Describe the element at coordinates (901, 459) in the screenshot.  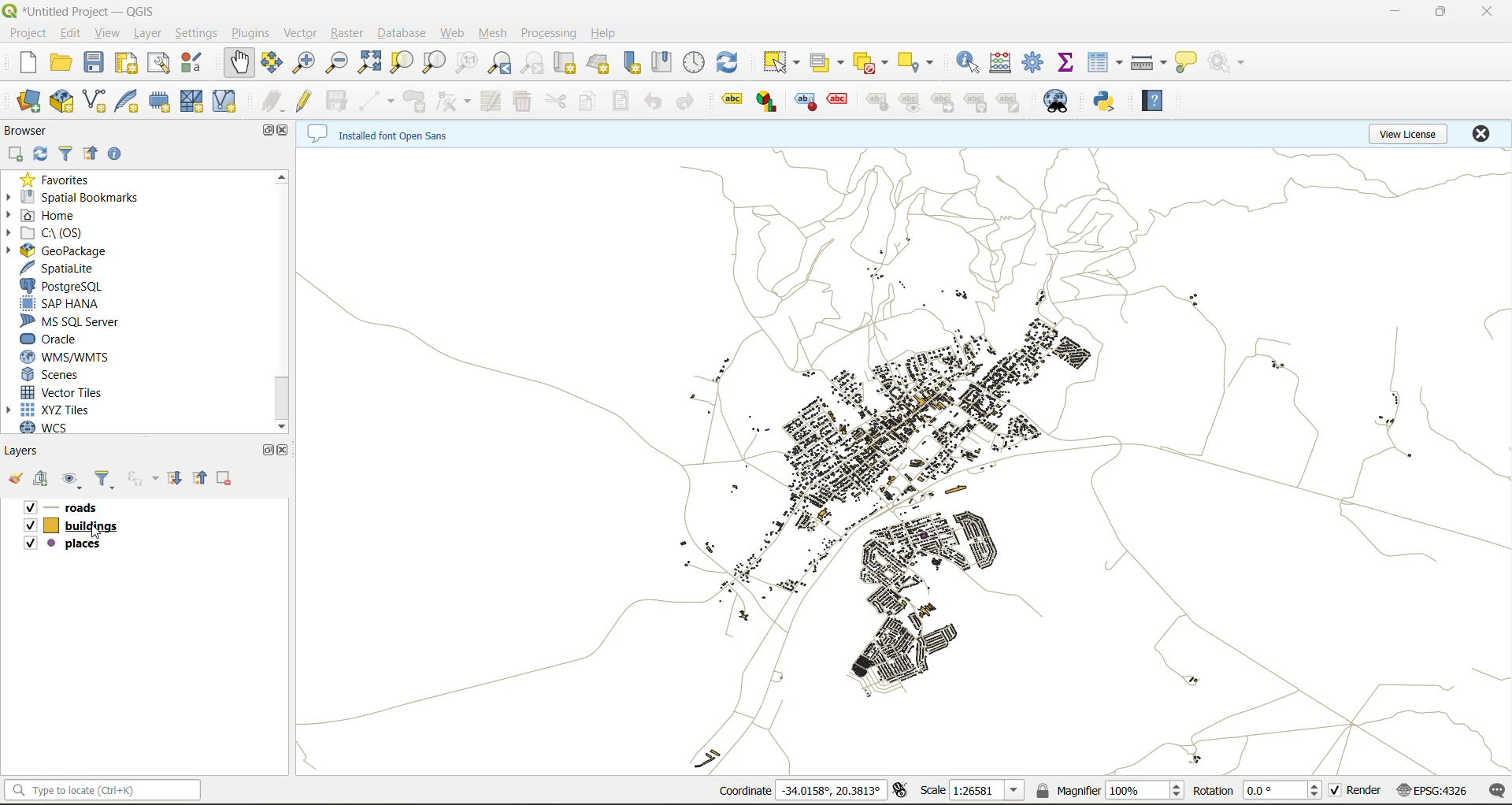
I see `layers` at that location.